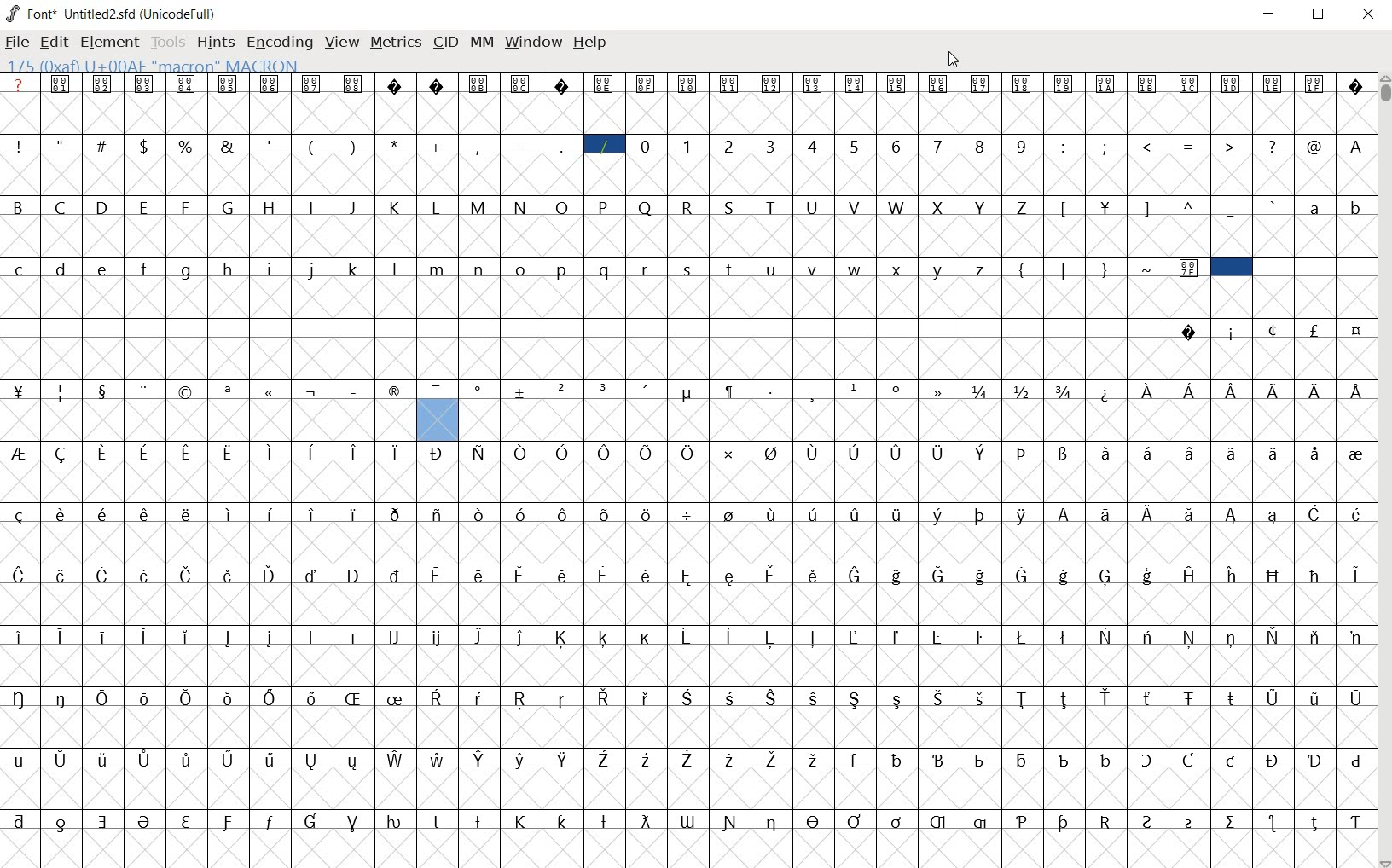 Image resolution: width=1392 pixels, height=868 pixels. I want to click on Symbol, so click(17, 760).